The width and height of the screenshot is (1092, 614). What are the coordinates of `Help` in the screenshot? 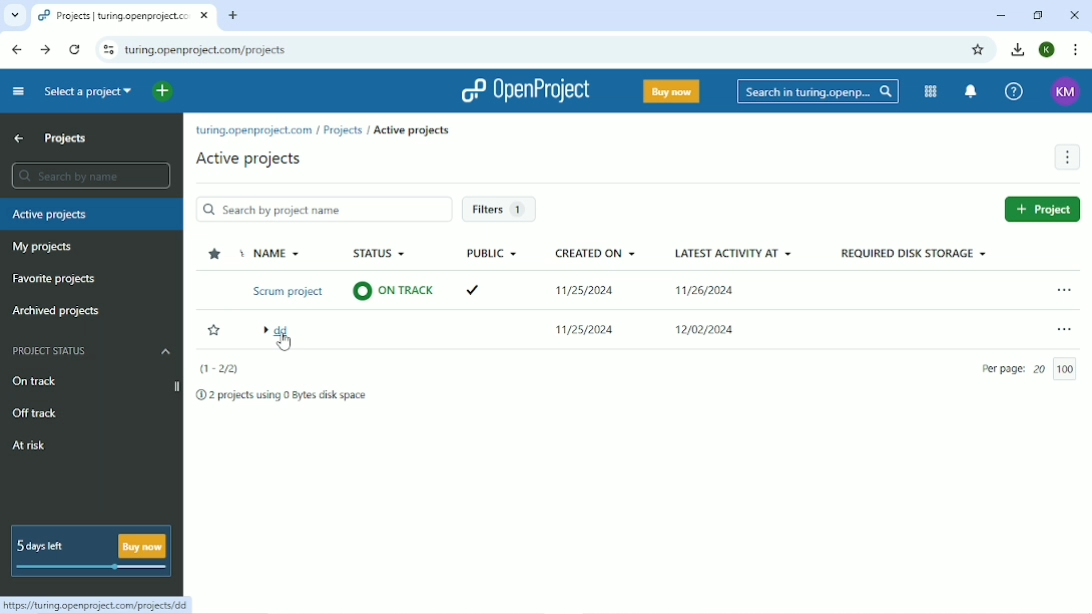 It's located at (1015, 91).